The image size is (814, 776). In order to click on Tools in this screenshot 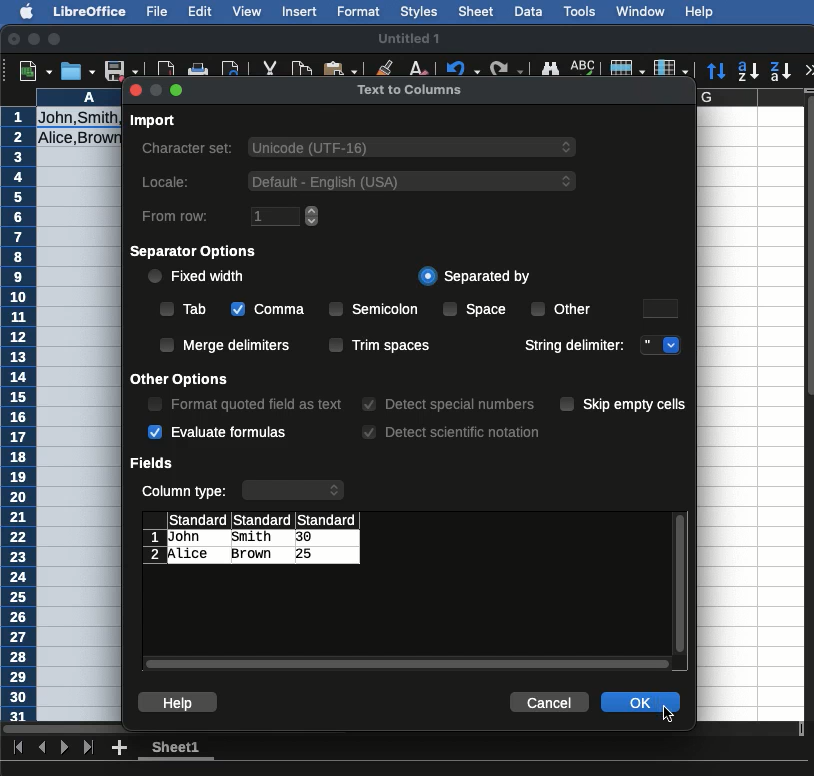, I will do `click(581, 12)`.